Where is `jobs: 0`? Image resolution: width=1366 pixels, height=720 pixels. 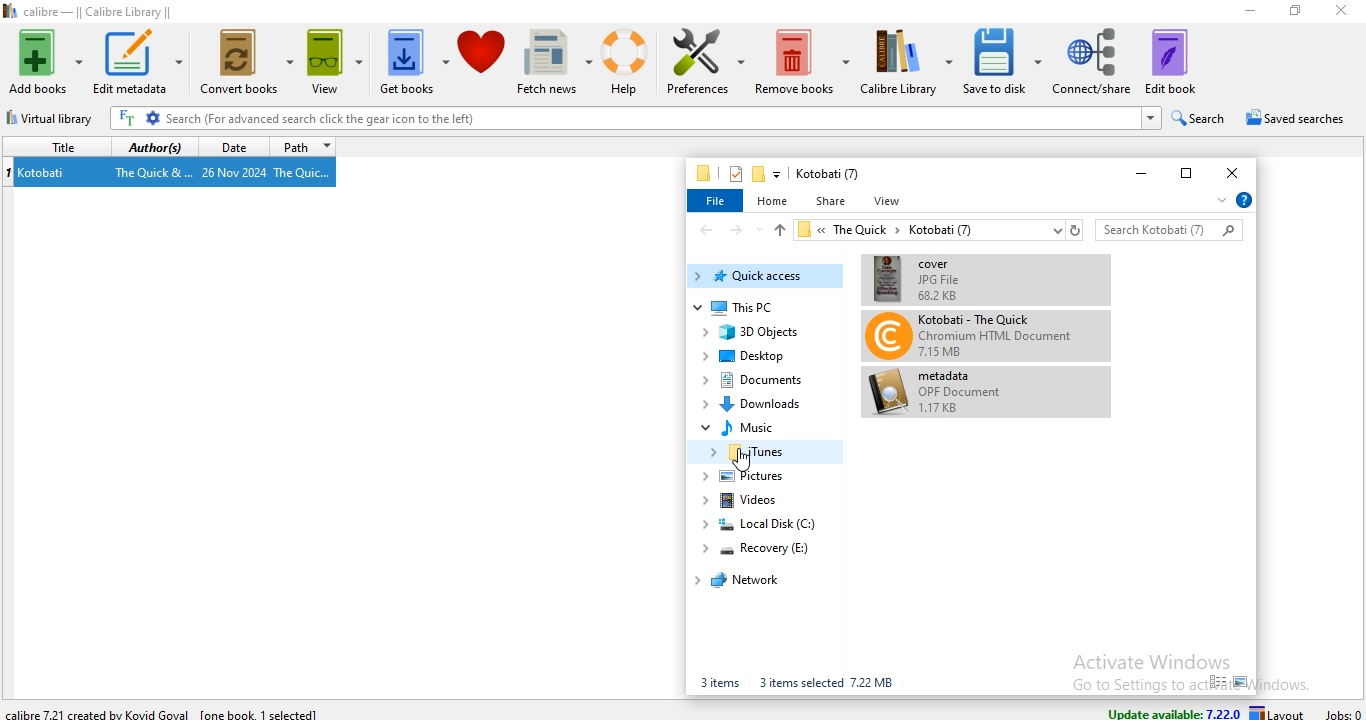 jobs: 0 is located at coordinates (1343, 711).